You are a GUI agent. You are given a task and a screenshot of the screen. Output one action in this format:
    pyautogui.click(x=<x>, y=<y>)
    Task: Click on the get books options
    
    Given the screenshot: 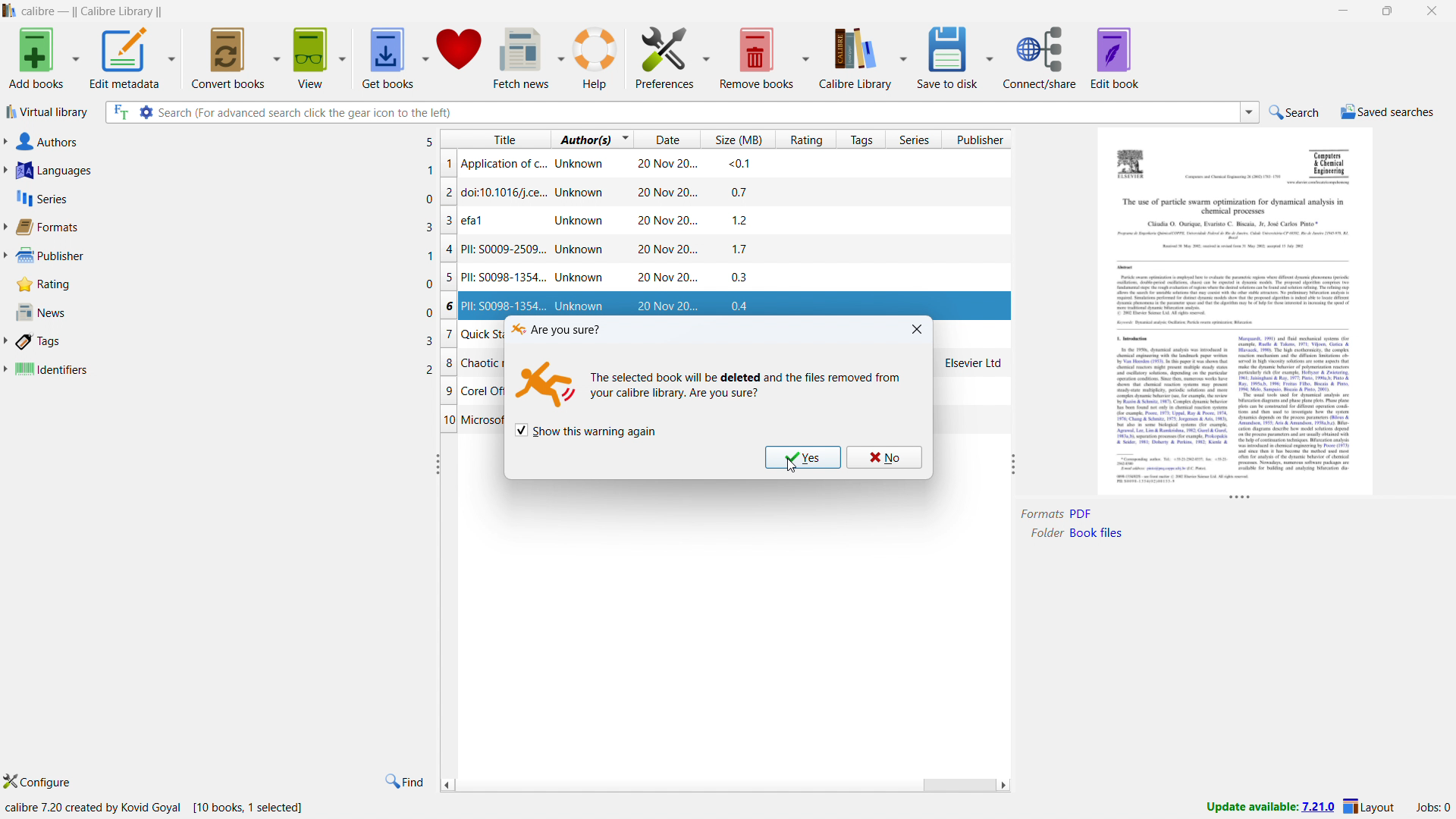 What is the action you would take?
    pyautogui.click(x=424, y=56)
    